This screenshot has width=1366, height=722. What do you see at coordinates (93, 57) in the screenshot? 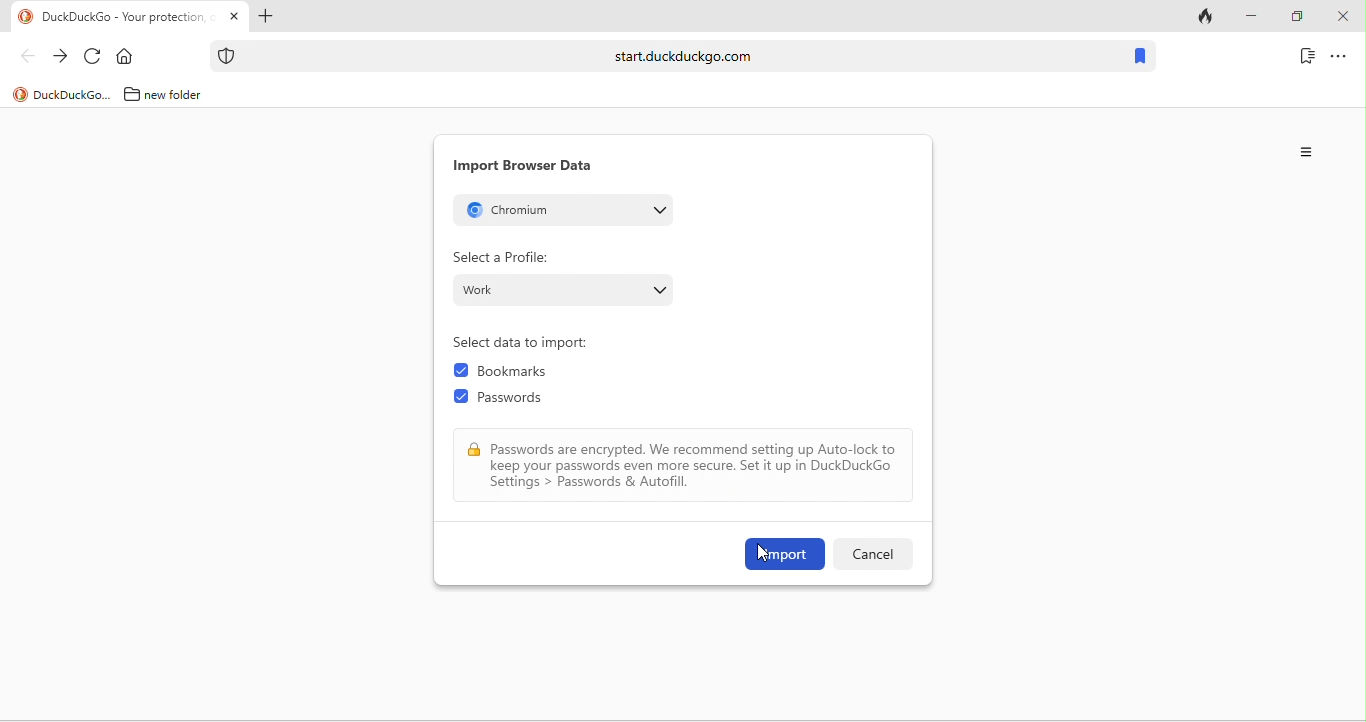
I see `reload` at bounding box center [93, 57].